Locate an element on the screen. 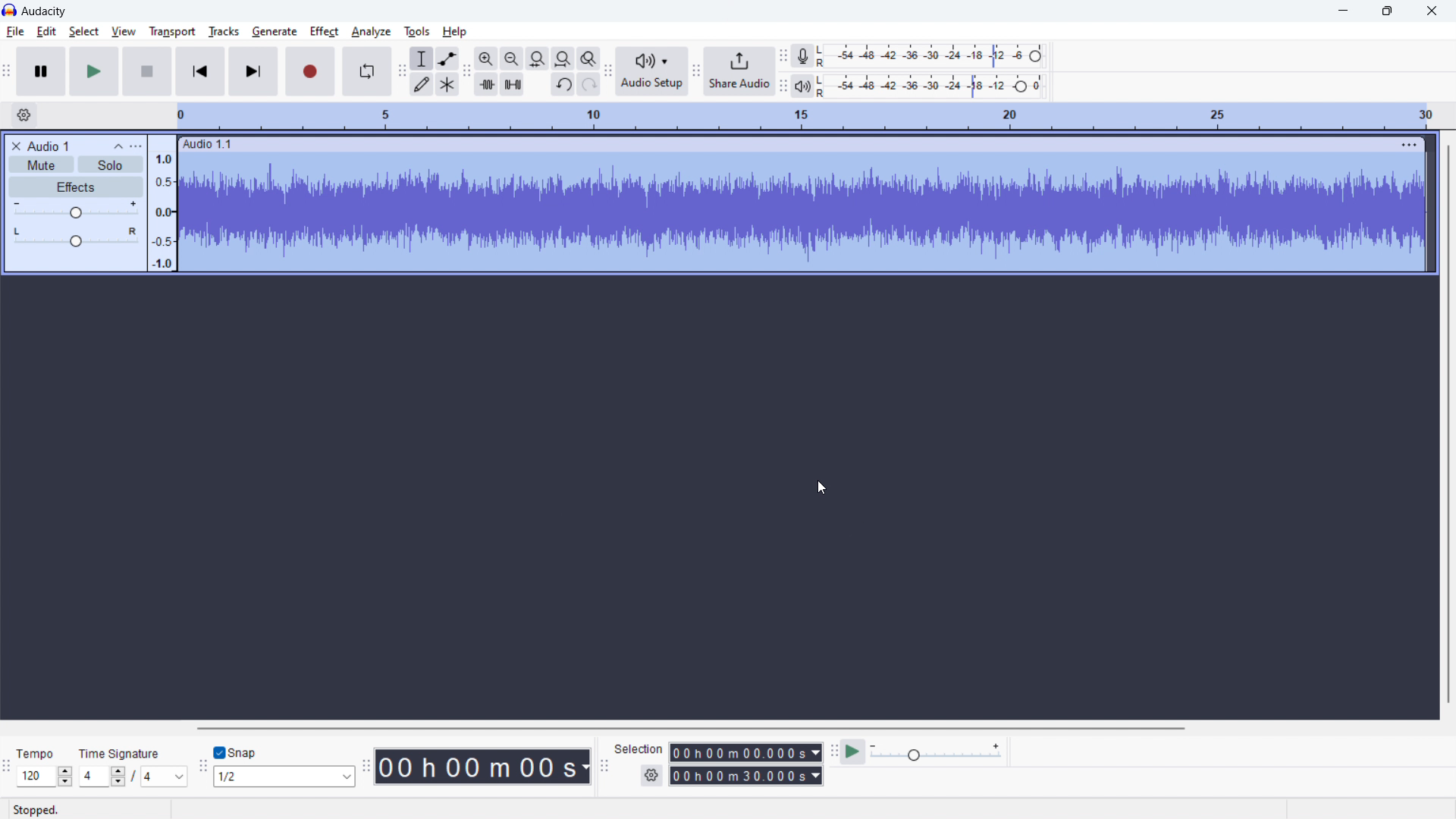  draw tool is located at coordinates (422, 83).